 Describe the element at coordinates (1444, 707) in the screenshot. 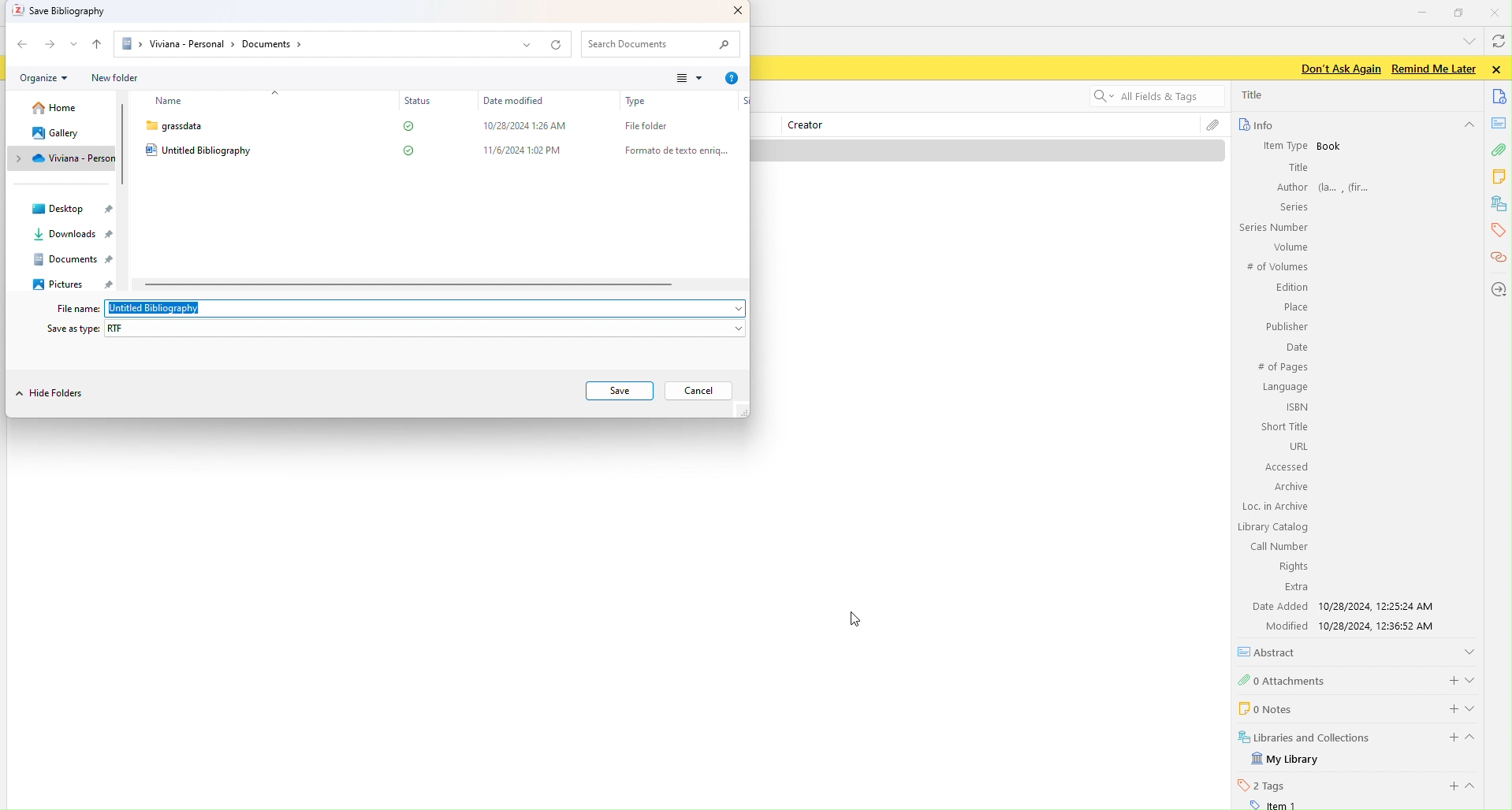

I see `add` at that location.